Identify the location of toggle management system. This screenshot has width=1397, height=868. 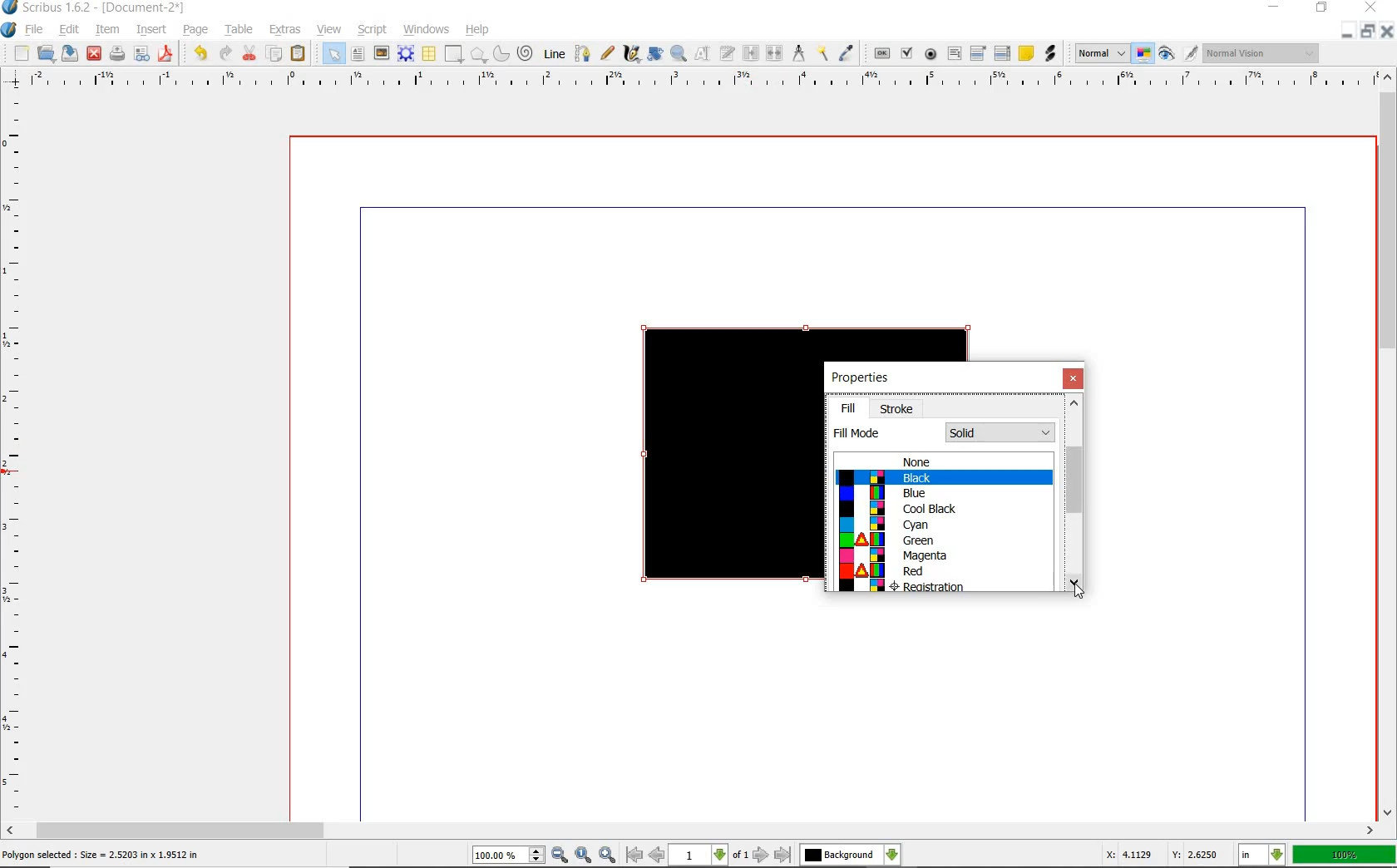
(1143, 55).